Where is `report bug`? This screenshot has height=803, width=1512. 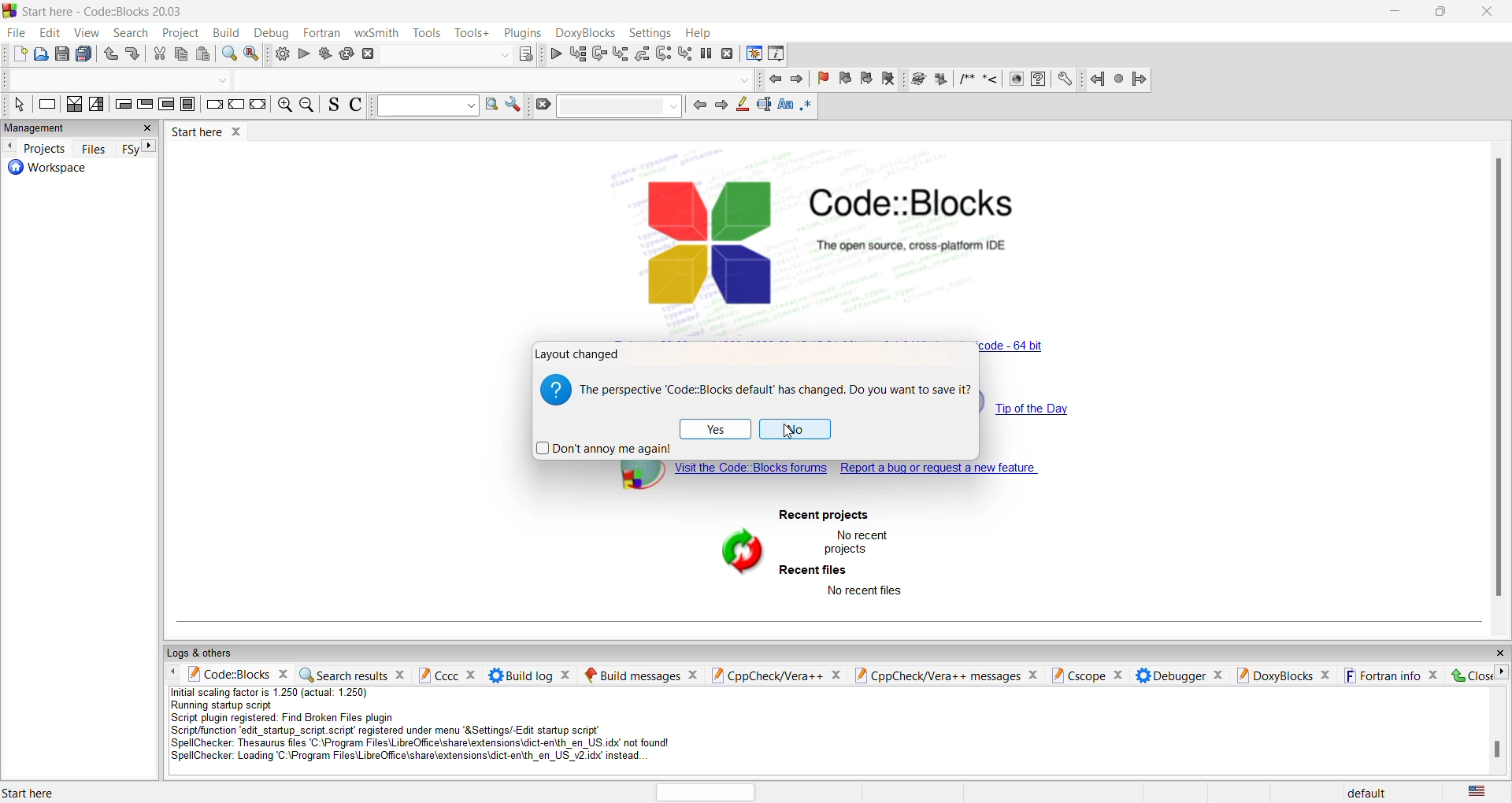 report bug is located at coordinates (942, 470).